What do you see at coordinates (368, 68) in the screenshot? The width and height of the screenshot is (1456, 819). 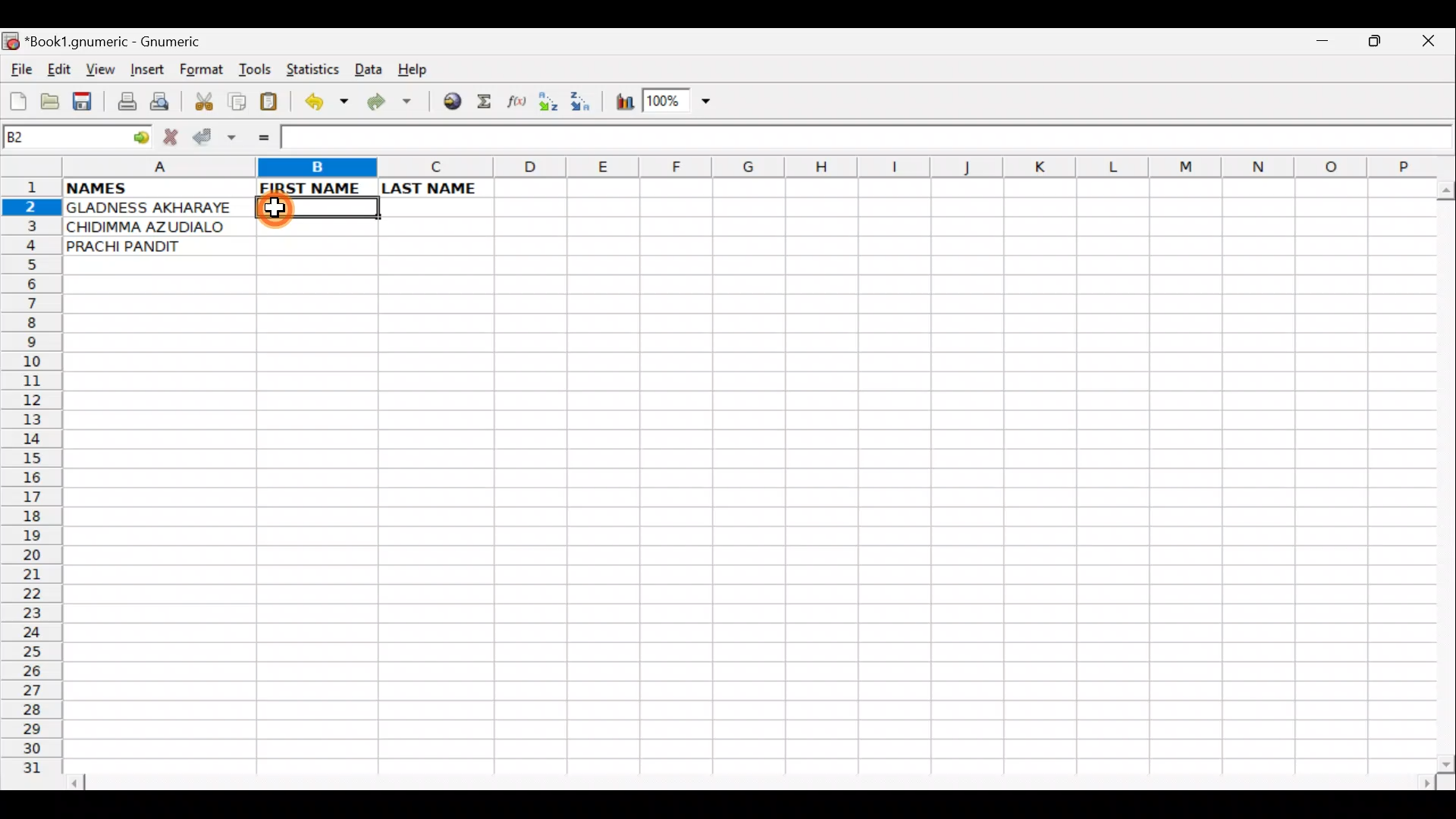 I see `Data` at bounding box center [368, 68].